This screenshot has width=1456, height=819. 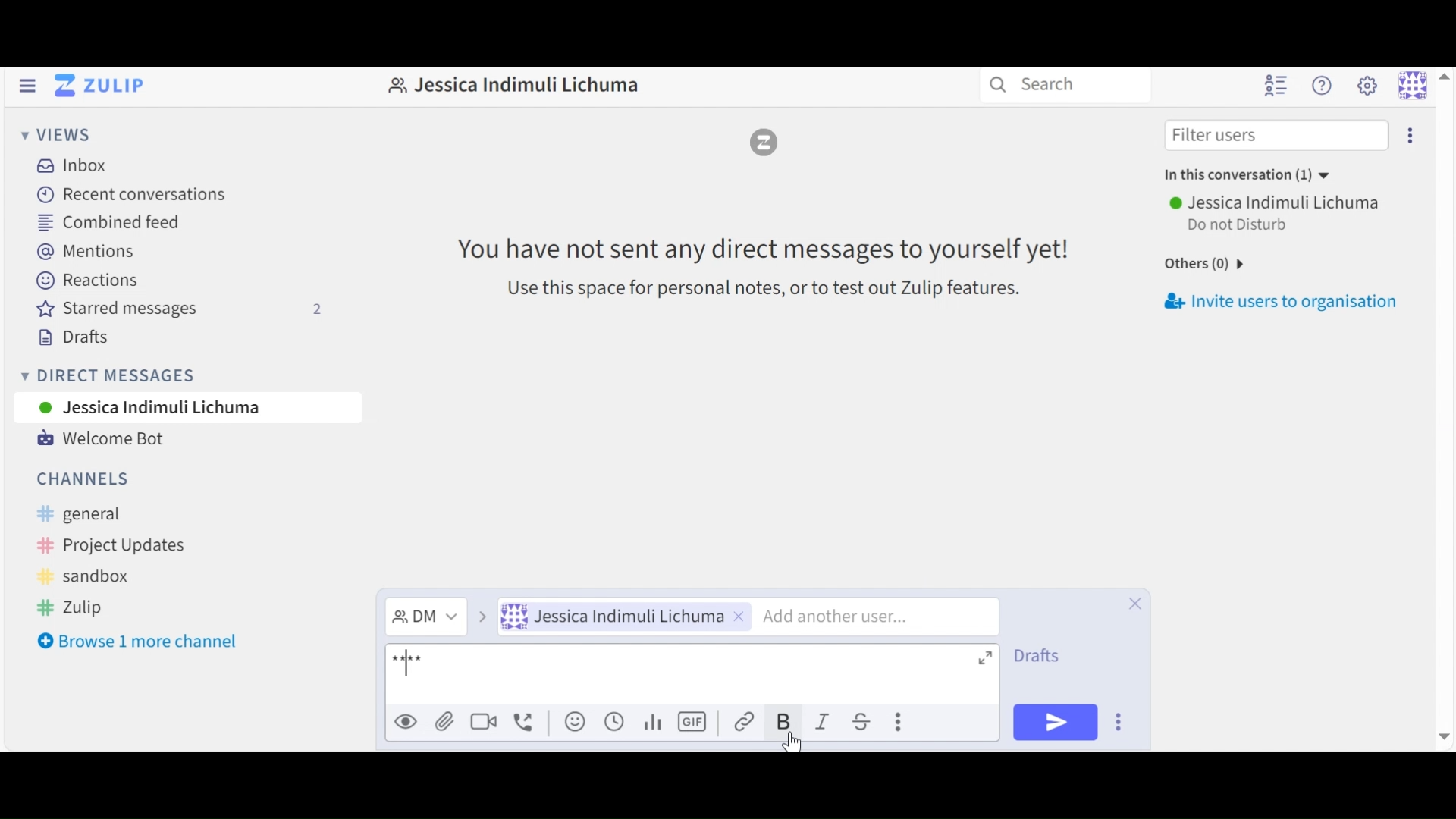 I want to click on do not disturb, so click(x=1247, y=225).